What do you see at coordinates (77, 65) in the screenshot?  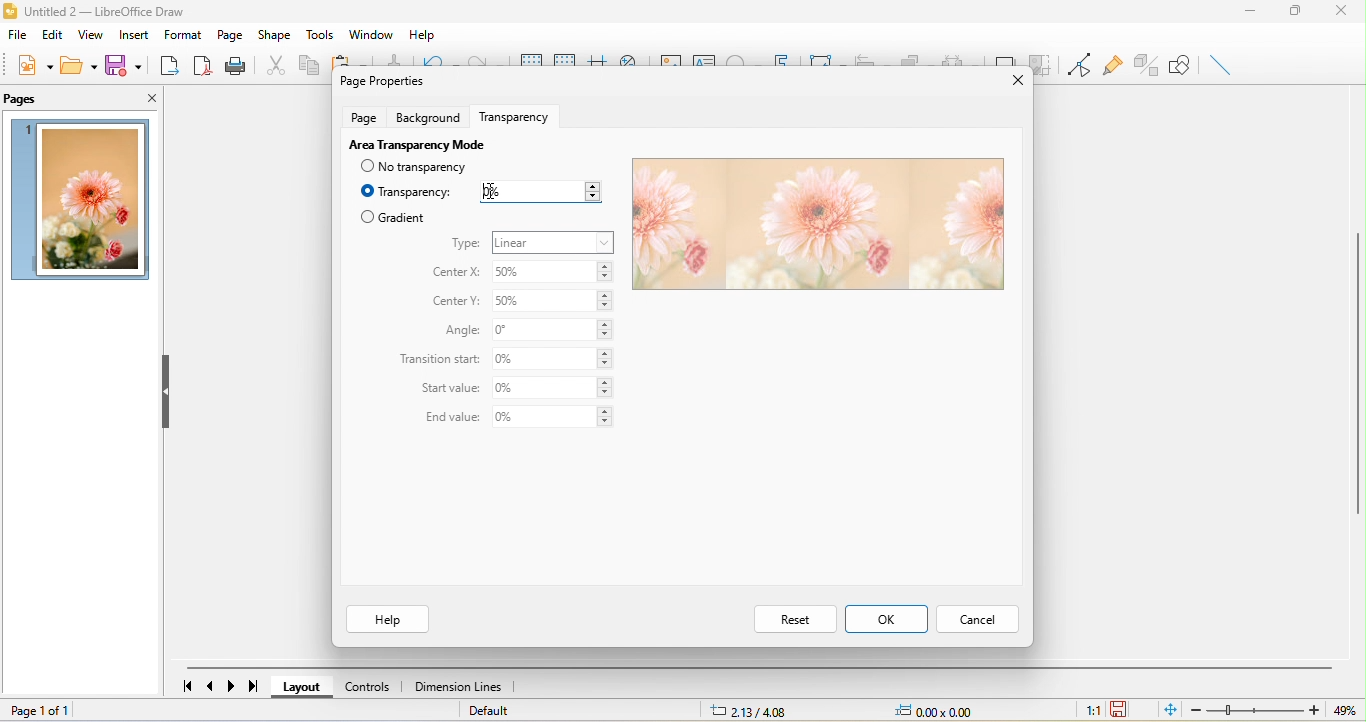 I see `open` at bounding box center [77, 65].